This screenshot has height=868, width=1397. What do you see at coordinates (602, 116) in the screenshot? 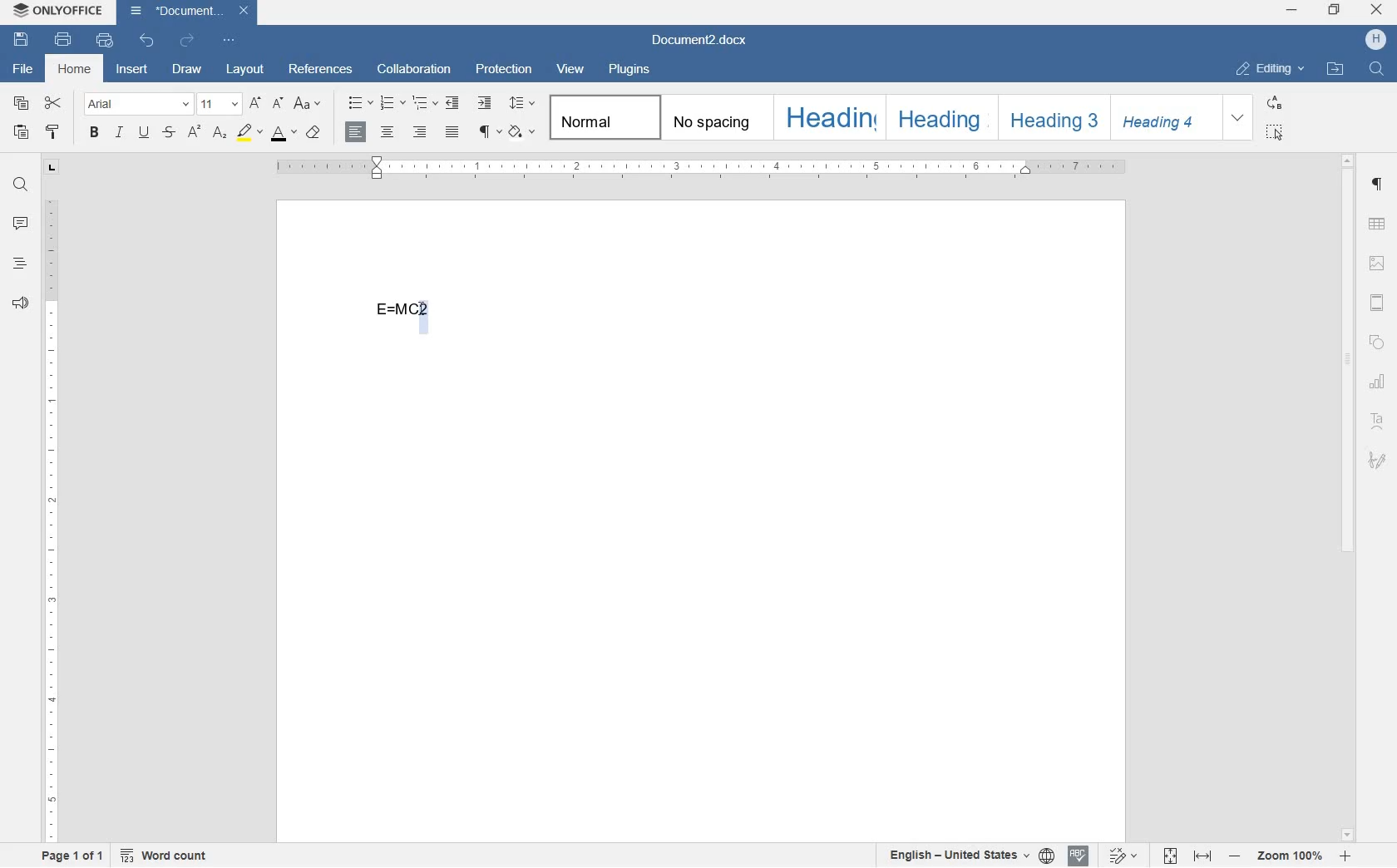
I see `Normal` at bounding box center [602, 116].